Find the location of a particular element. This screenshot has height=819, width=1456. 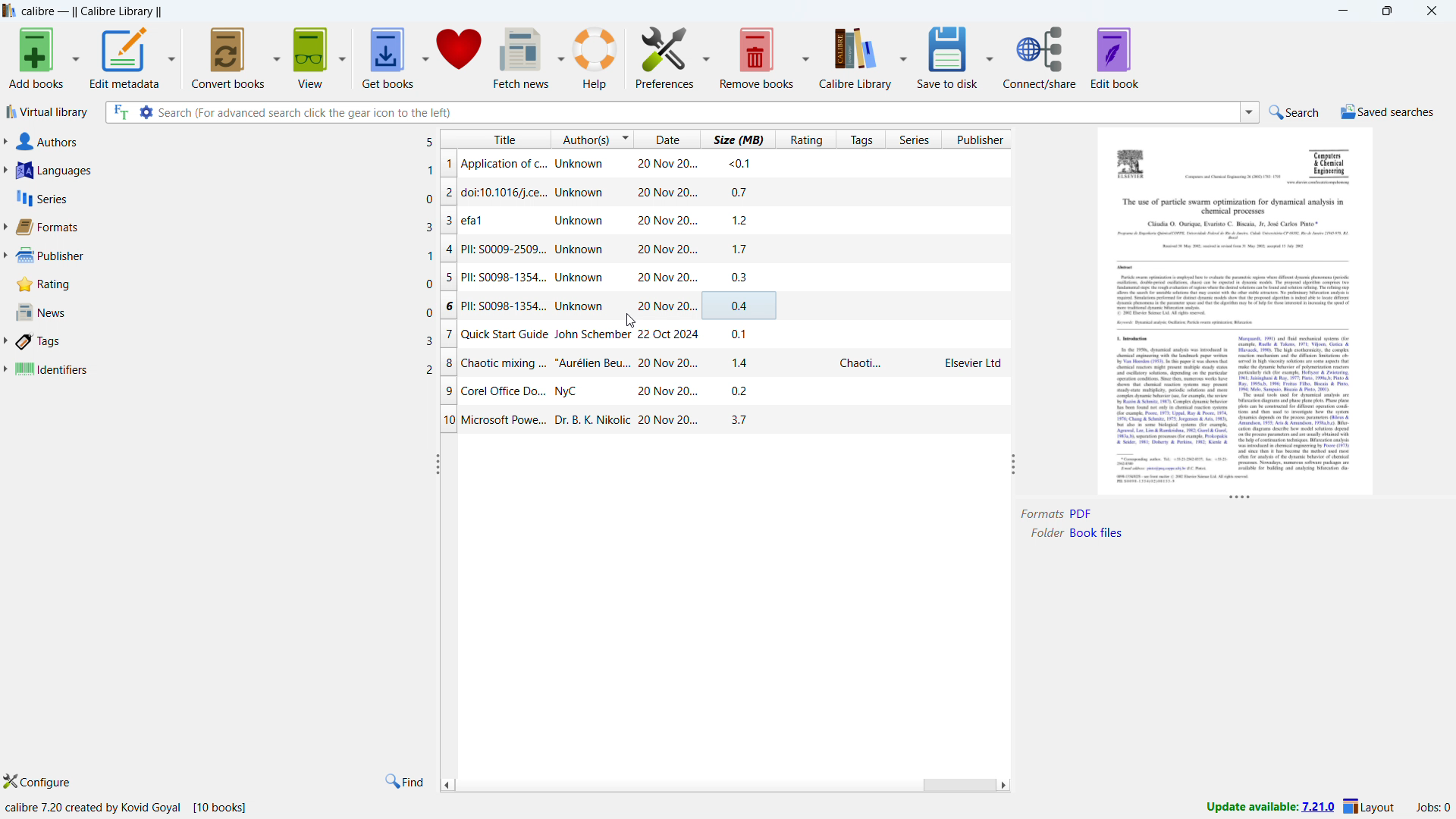

sort by authors is located at coordinates (583, 139).